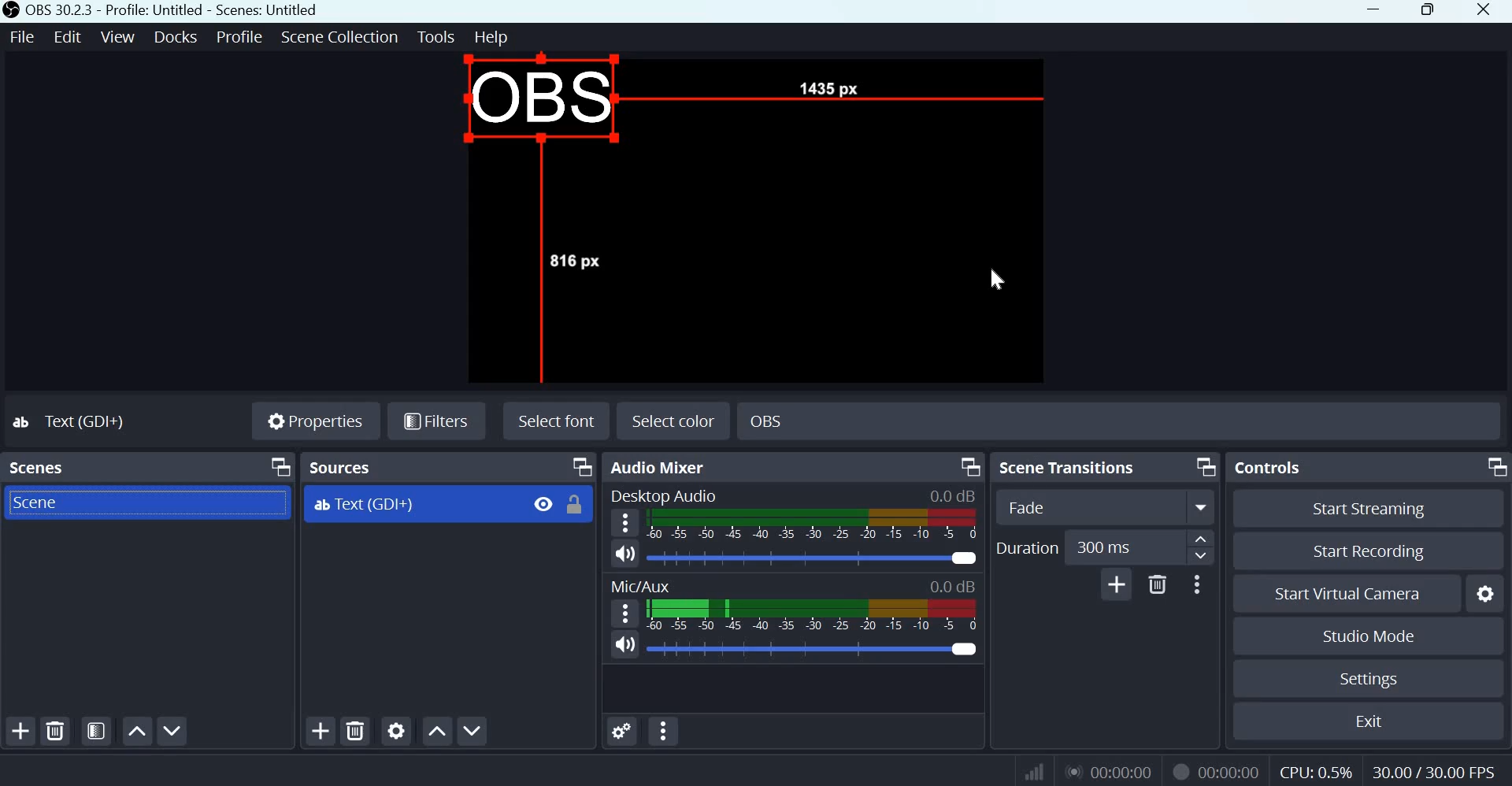 The height and width of the screenshot is (786, 1512). What do you see at coordinates (813, 649) in the screenshot?
I see `0.0 dB` at bounding box center [813, 649].